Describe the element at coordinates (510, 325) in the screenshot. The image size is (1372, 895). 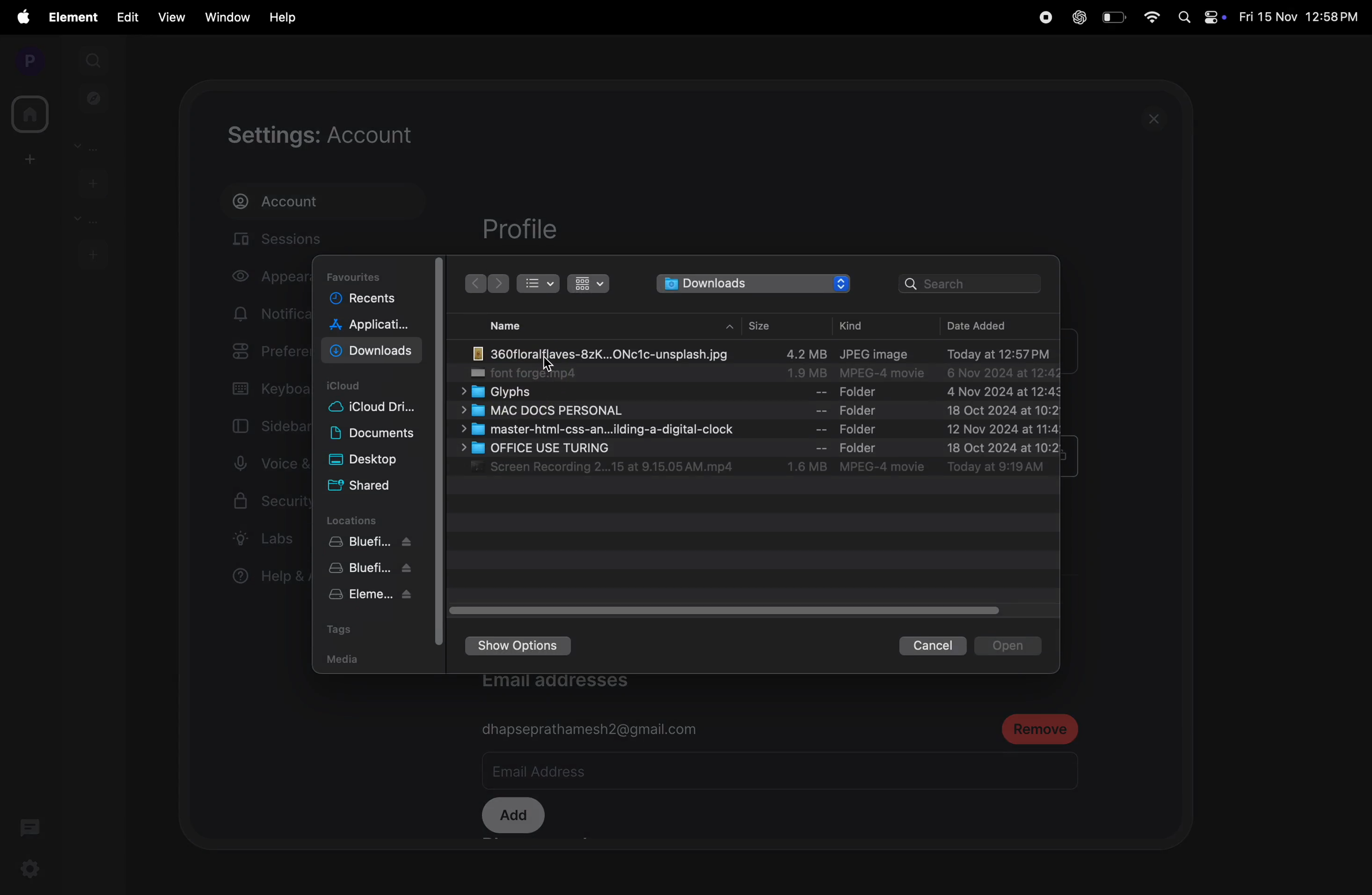
I see `name` at that location.